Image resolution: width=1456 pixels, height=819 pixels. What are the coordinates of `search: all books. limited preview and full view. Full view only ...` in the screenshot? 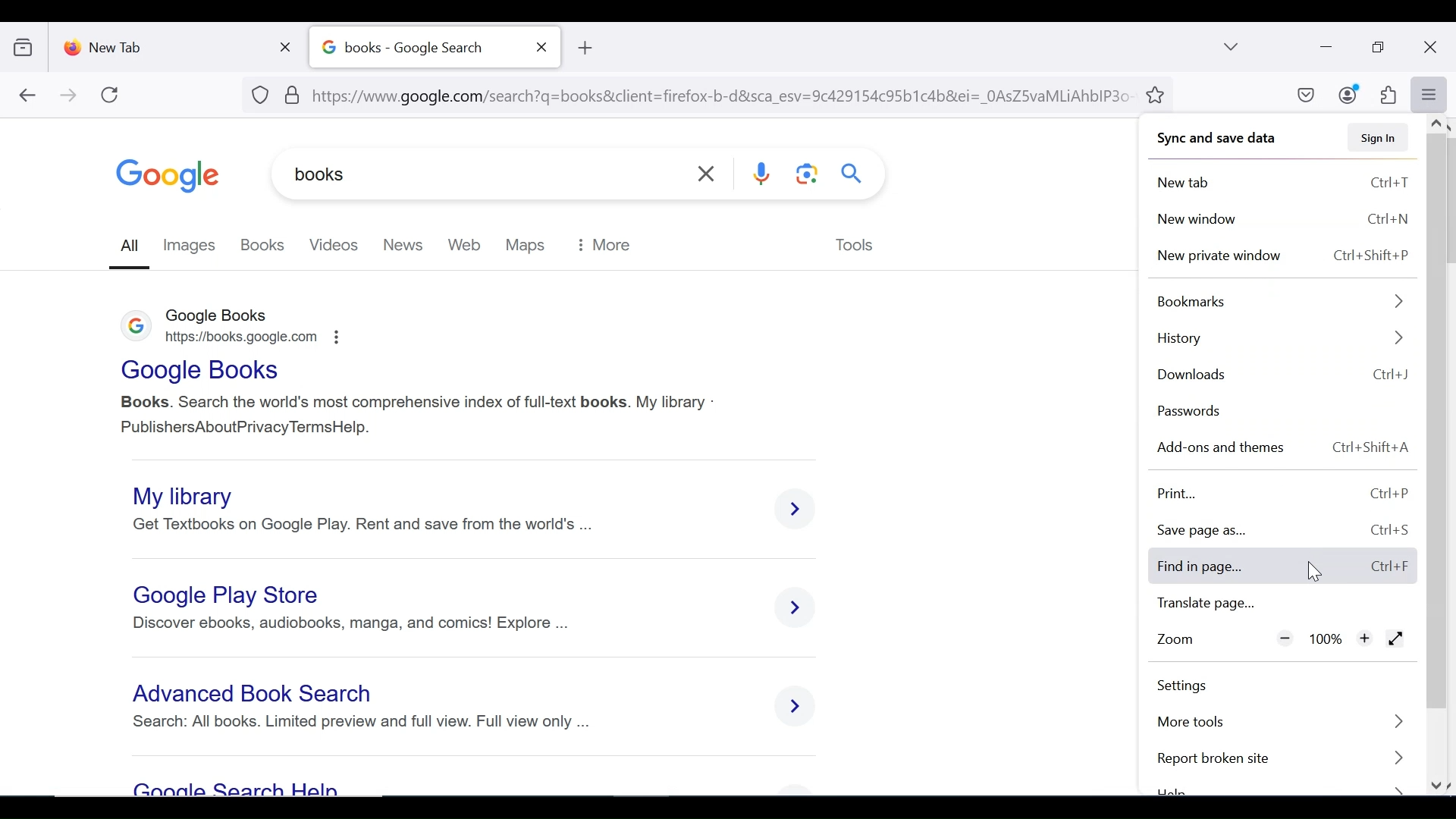 It's located at (362, 722).